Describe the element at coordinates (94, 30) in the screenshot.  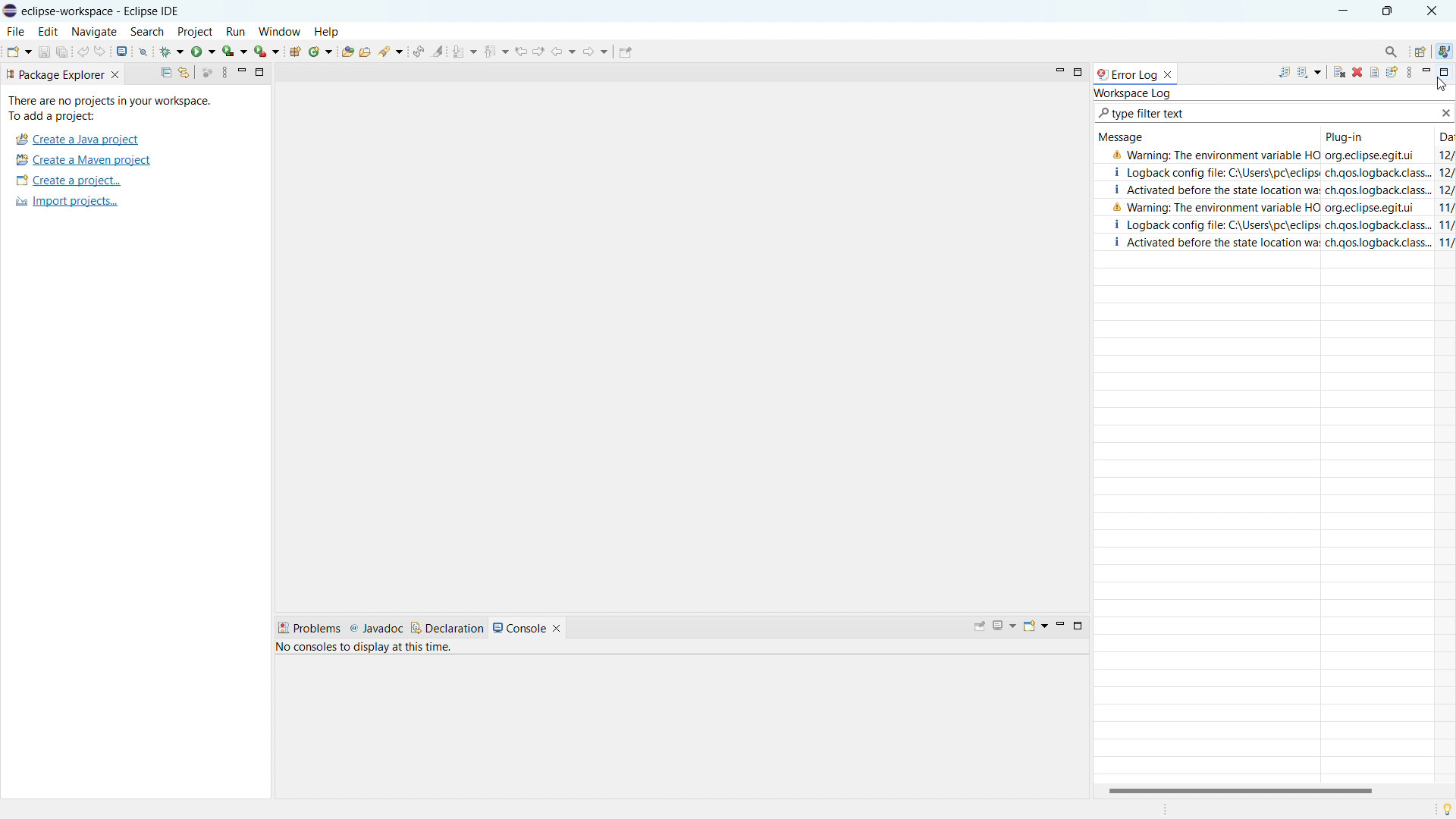
I see `Navigate` at that location.